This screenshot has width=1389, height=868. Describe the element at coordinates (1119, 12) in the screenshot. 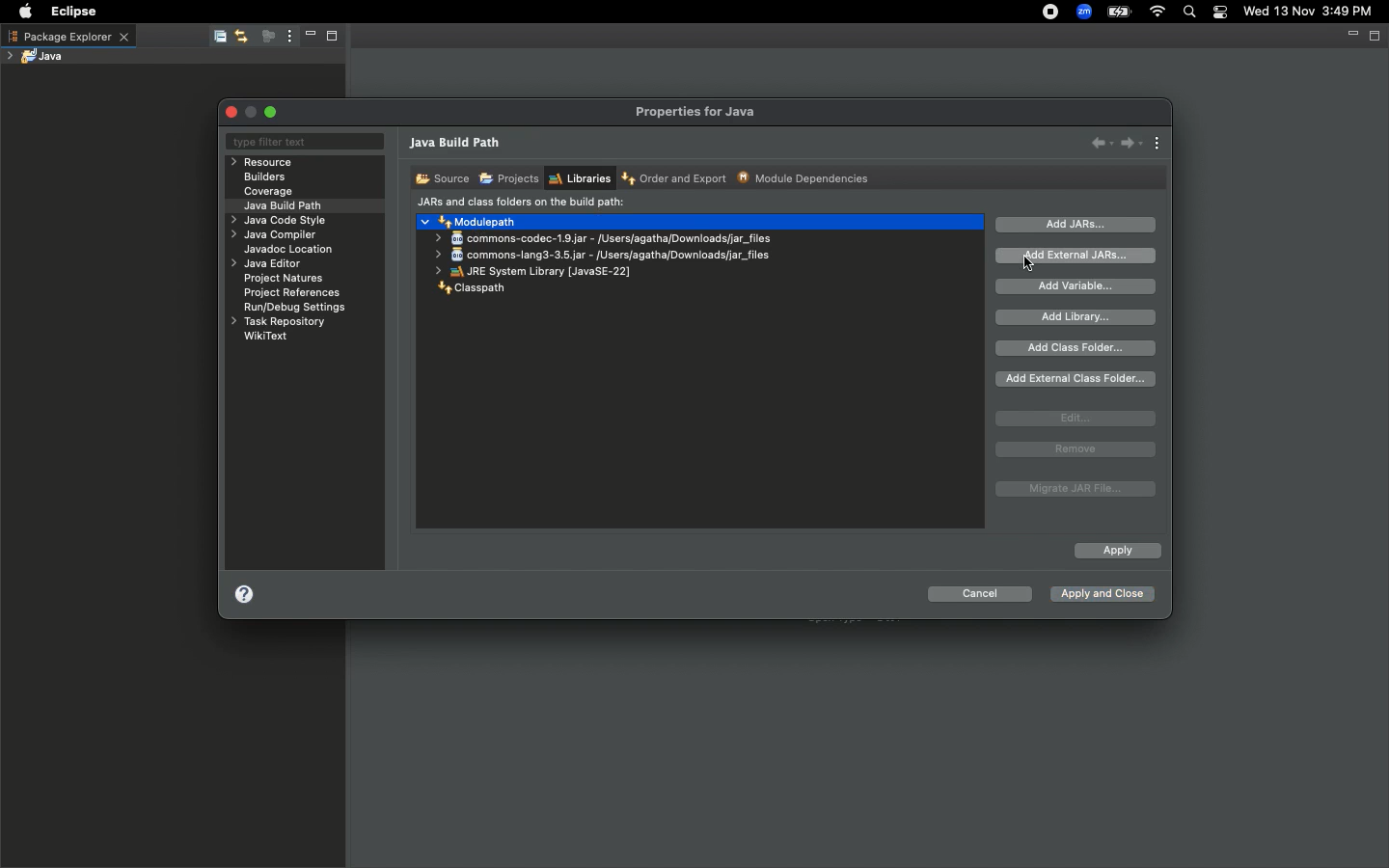

I see `Charge` at that location.